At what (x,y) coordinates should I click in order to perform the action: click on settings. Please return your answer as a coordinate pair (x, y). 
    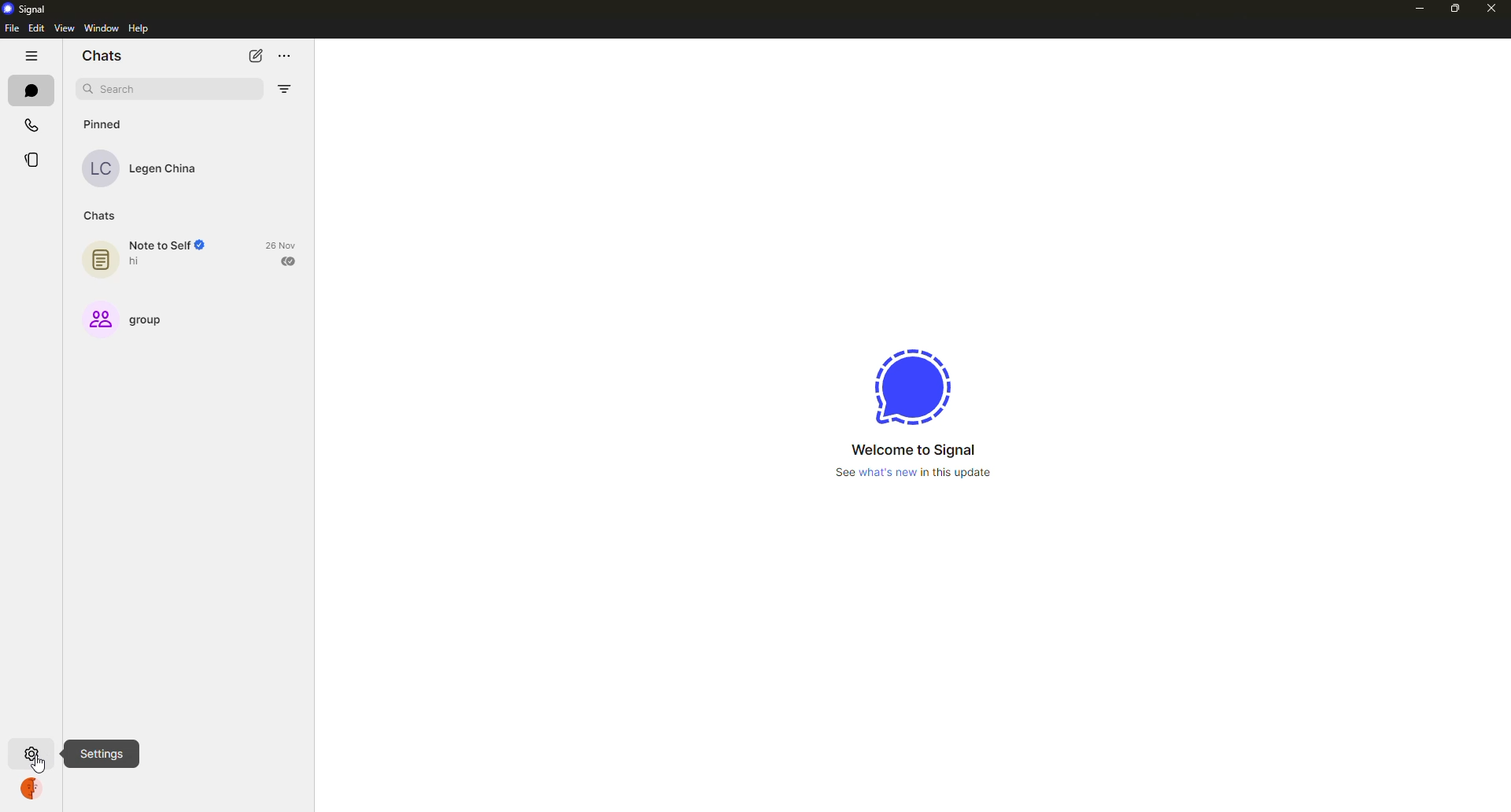
    Looking at the image, I should click on (102, 753).